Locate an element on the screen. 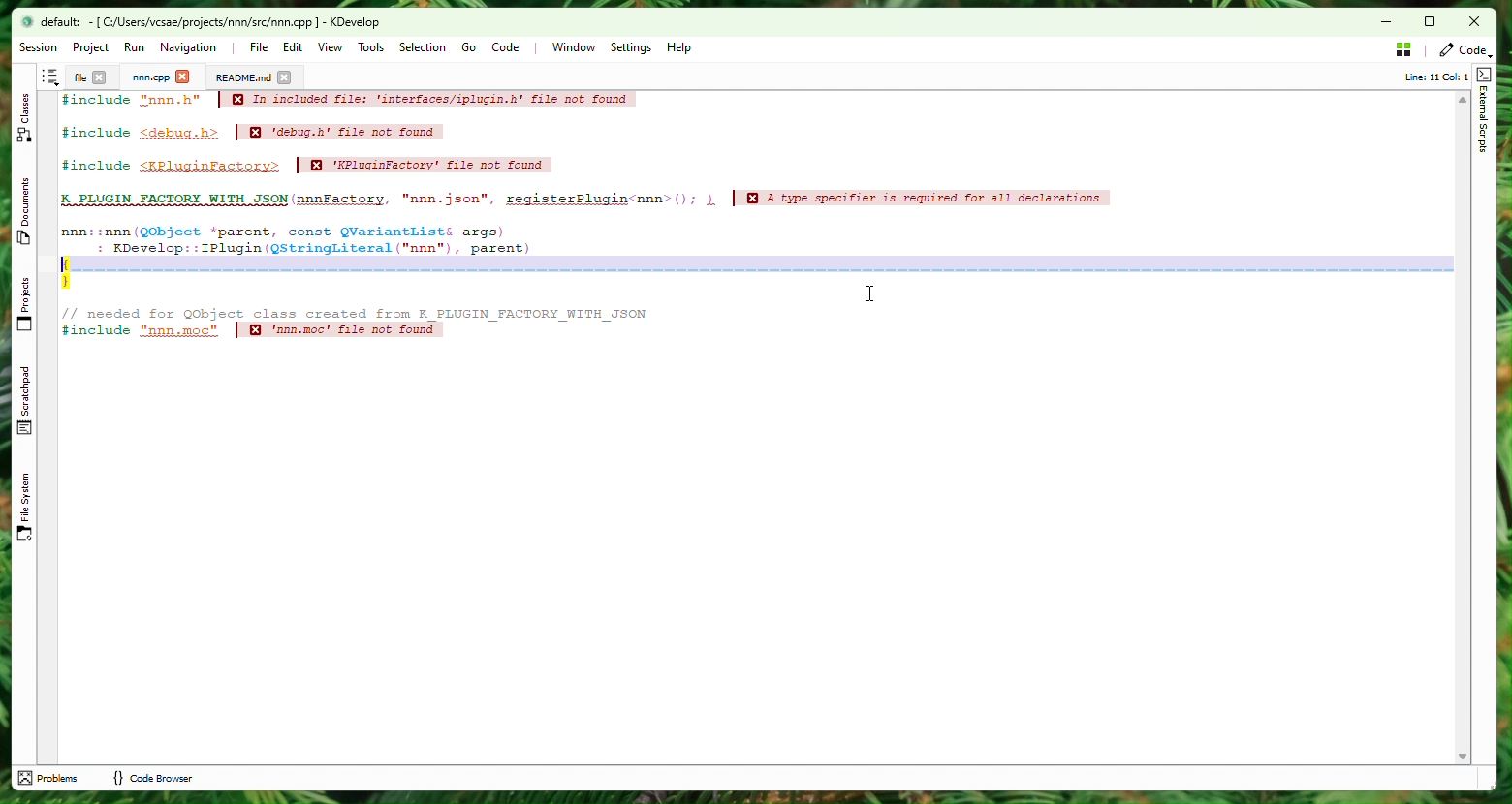 The width and height of the screenshot is (1512, 804). close tab is located at coordinates (183, 77).